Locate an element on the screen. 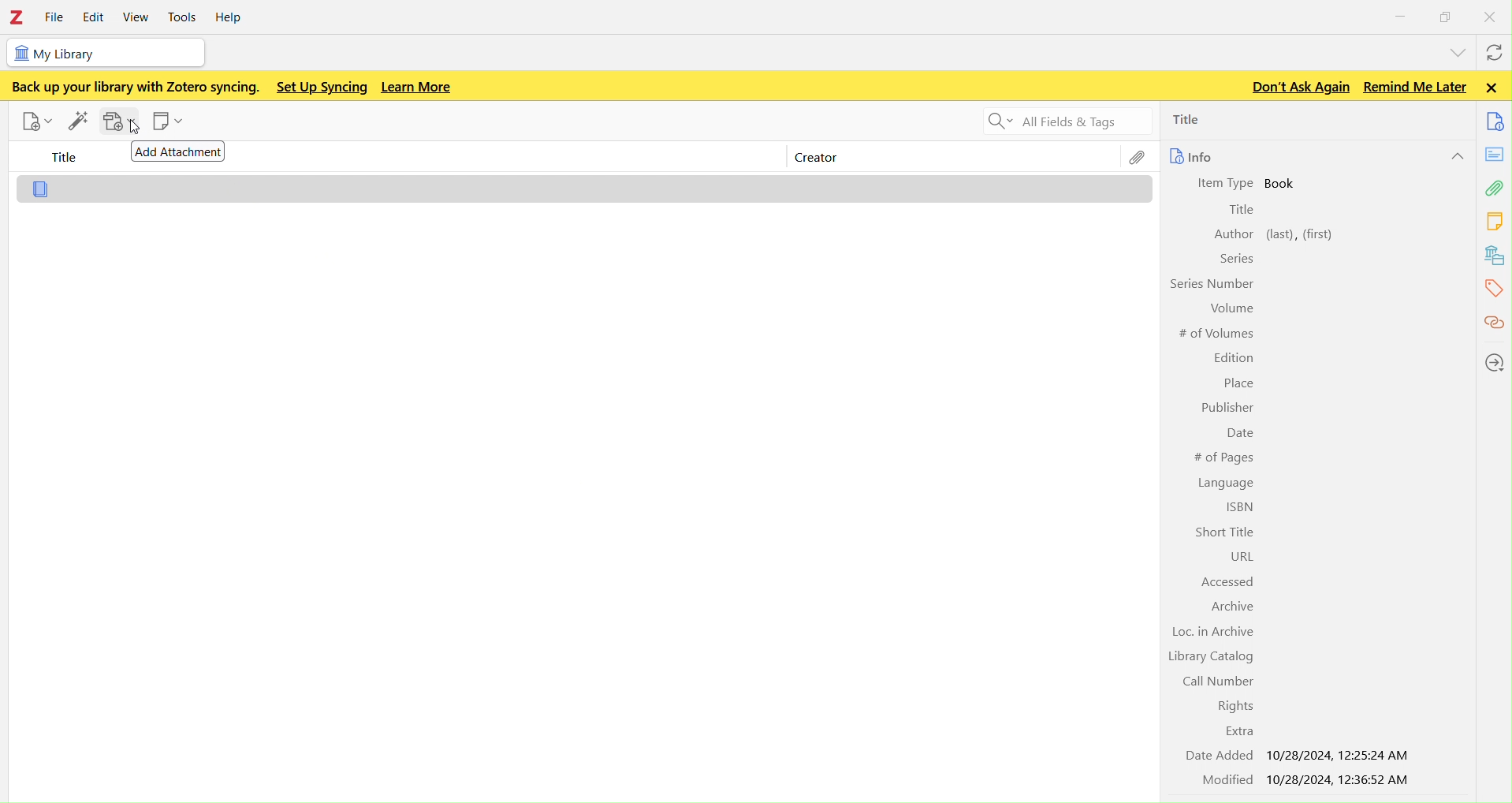 This screenshot has height=803, width=1512. Remind me later is located at coordinates (1415, 86).